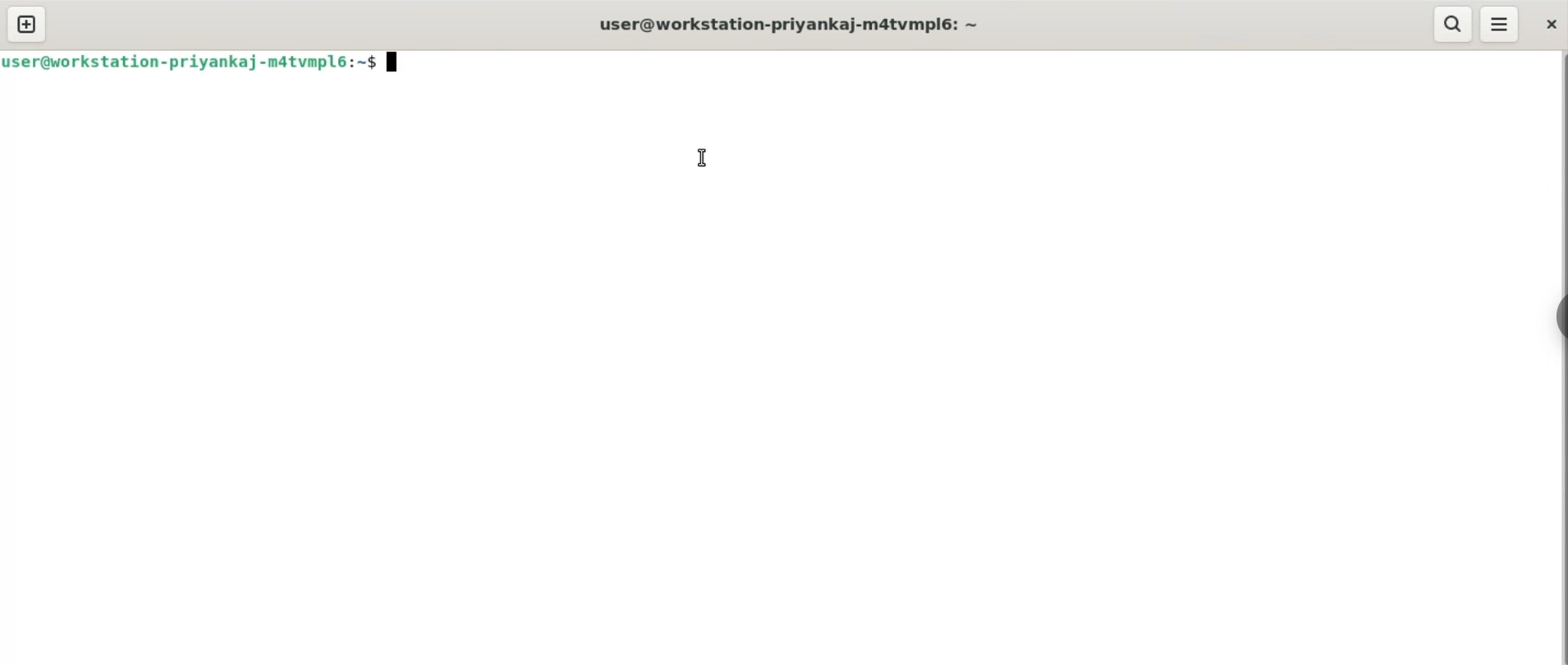 The image size is (1568, 665). I want to click on cursor, so click(699, 158).